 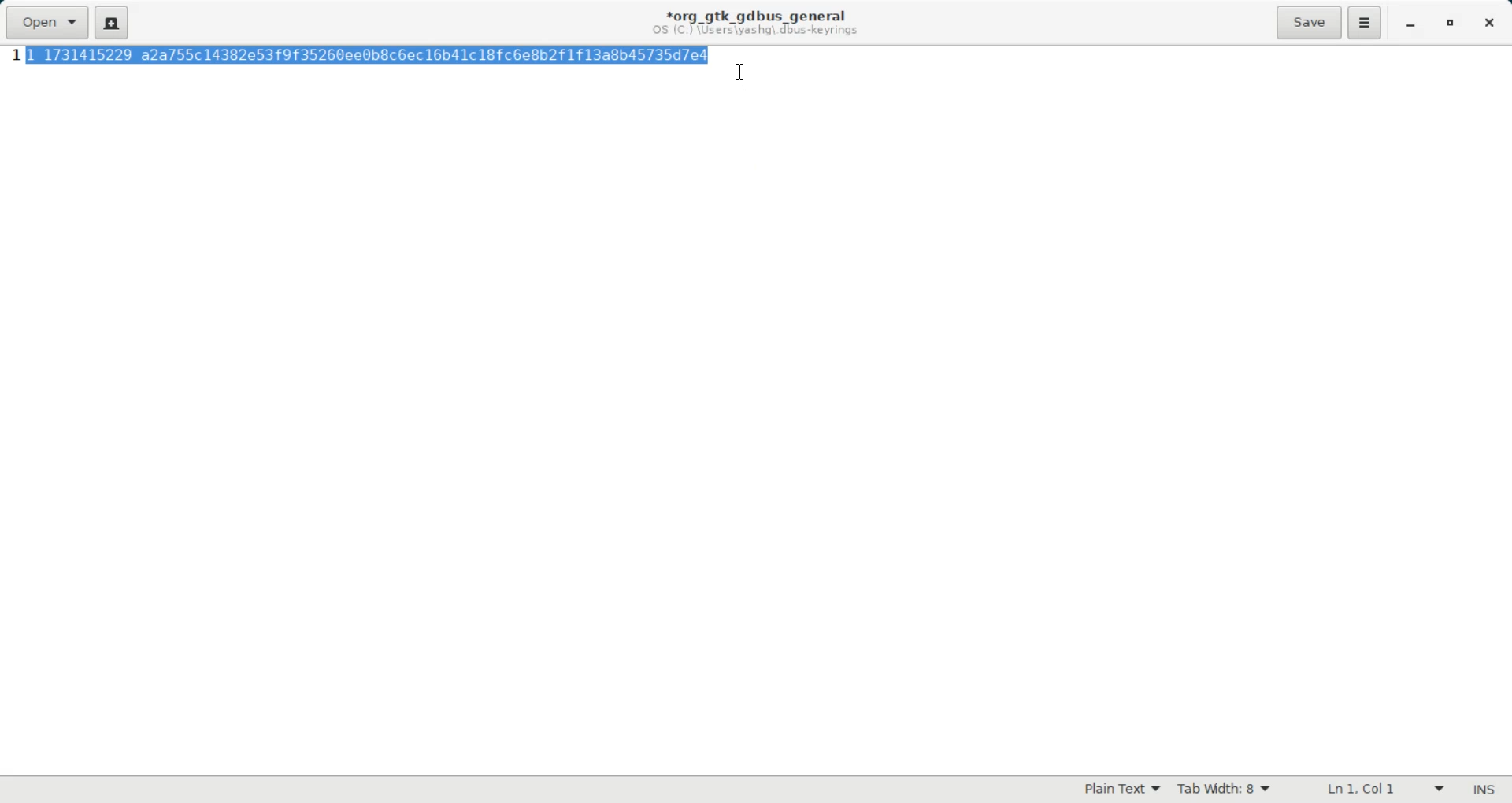 What do you see at coordinates (1368, 790) in the screenshot?
I see `Text Wrapping` at bounding box center [1368, 790].